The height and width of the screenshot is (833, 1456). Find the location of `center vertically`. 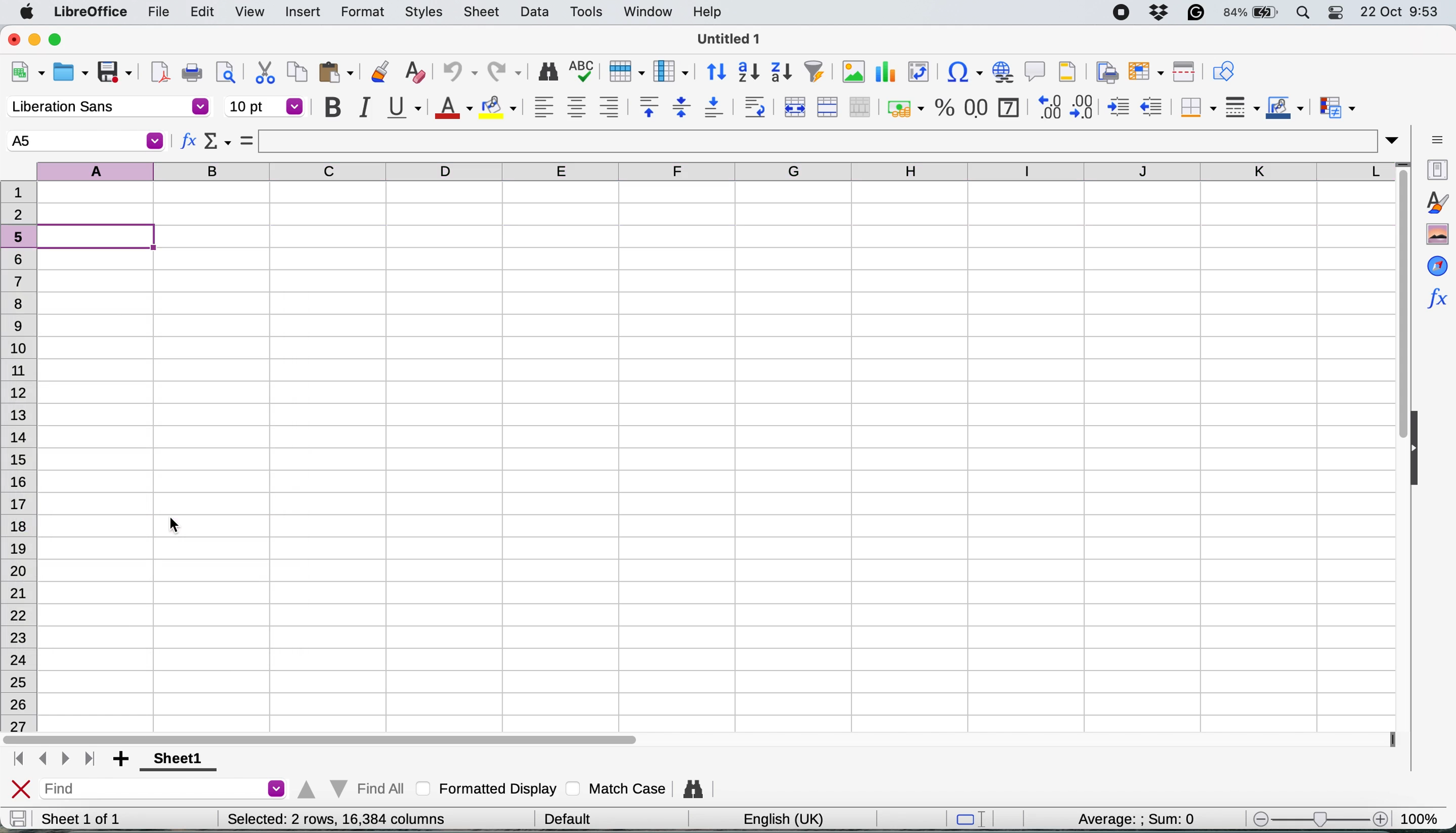

center vertically is located at coordinates (681, 106).